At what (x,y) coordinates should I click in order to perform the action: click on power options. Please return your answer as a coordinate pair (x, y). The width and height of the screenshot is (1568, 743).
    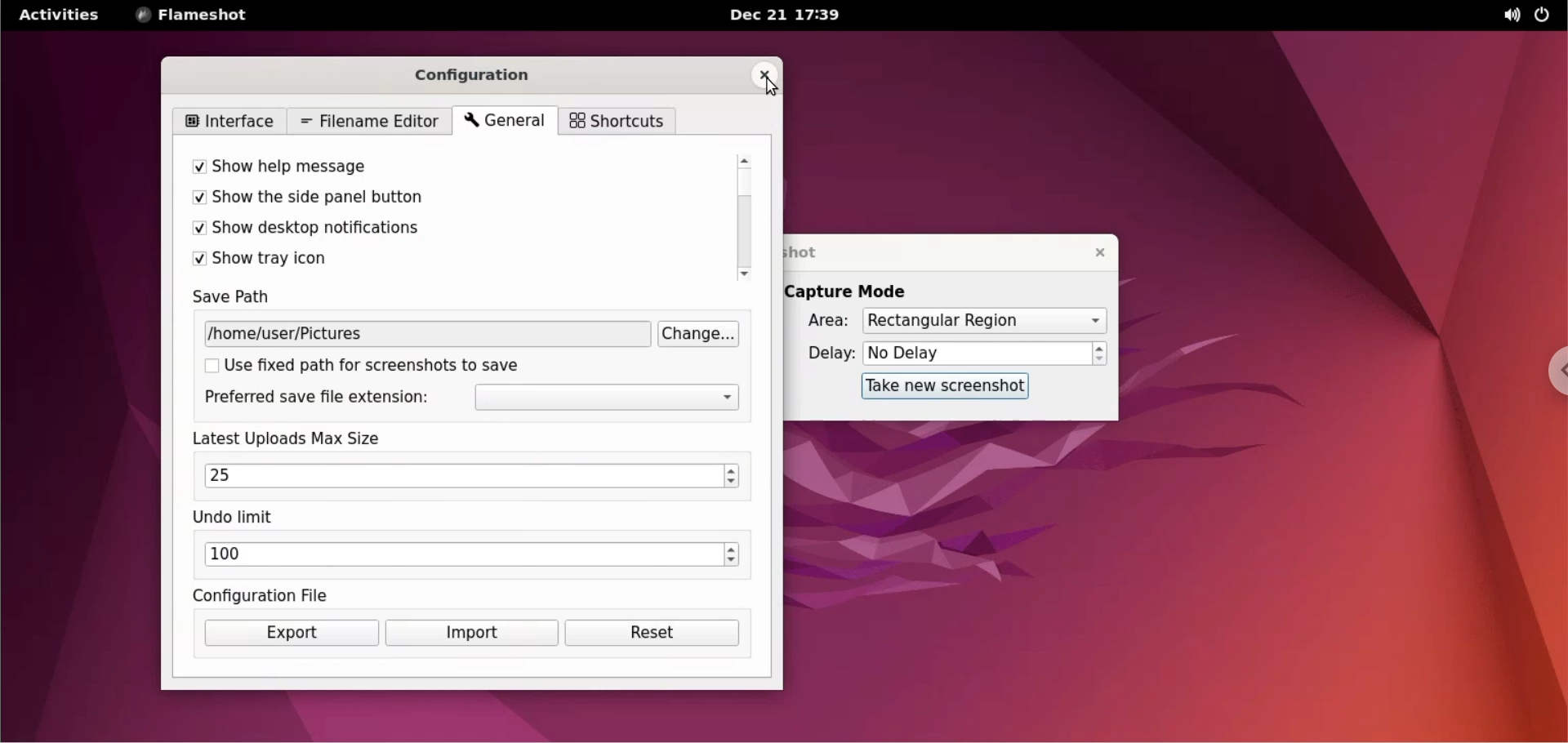
    Looking at the image, I should click on (1545, 16).